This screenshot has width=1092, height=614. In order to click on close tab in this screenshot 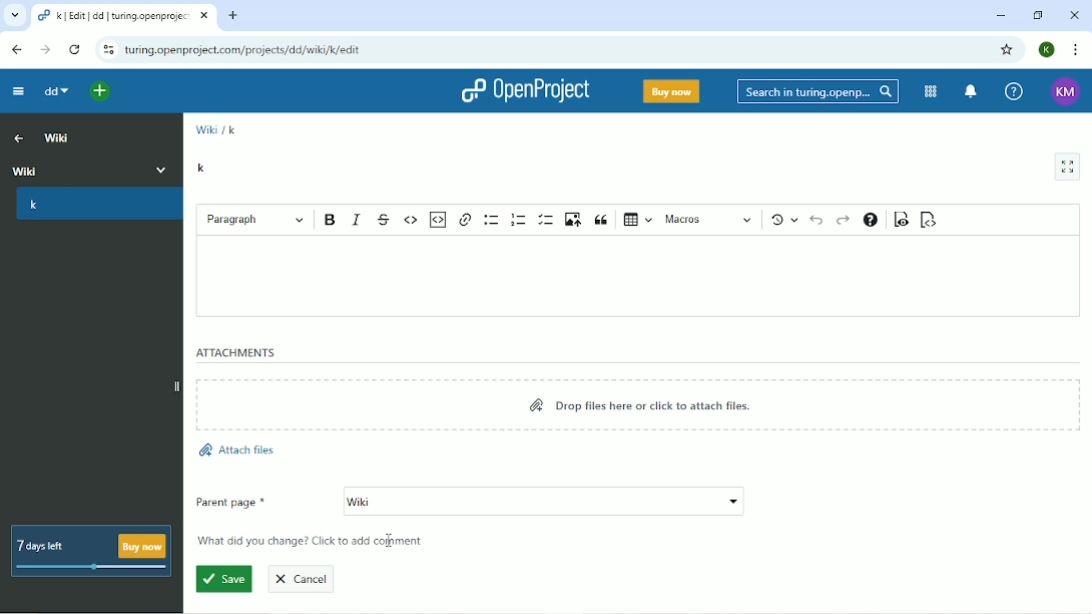, I will do `click(206, 18)`.